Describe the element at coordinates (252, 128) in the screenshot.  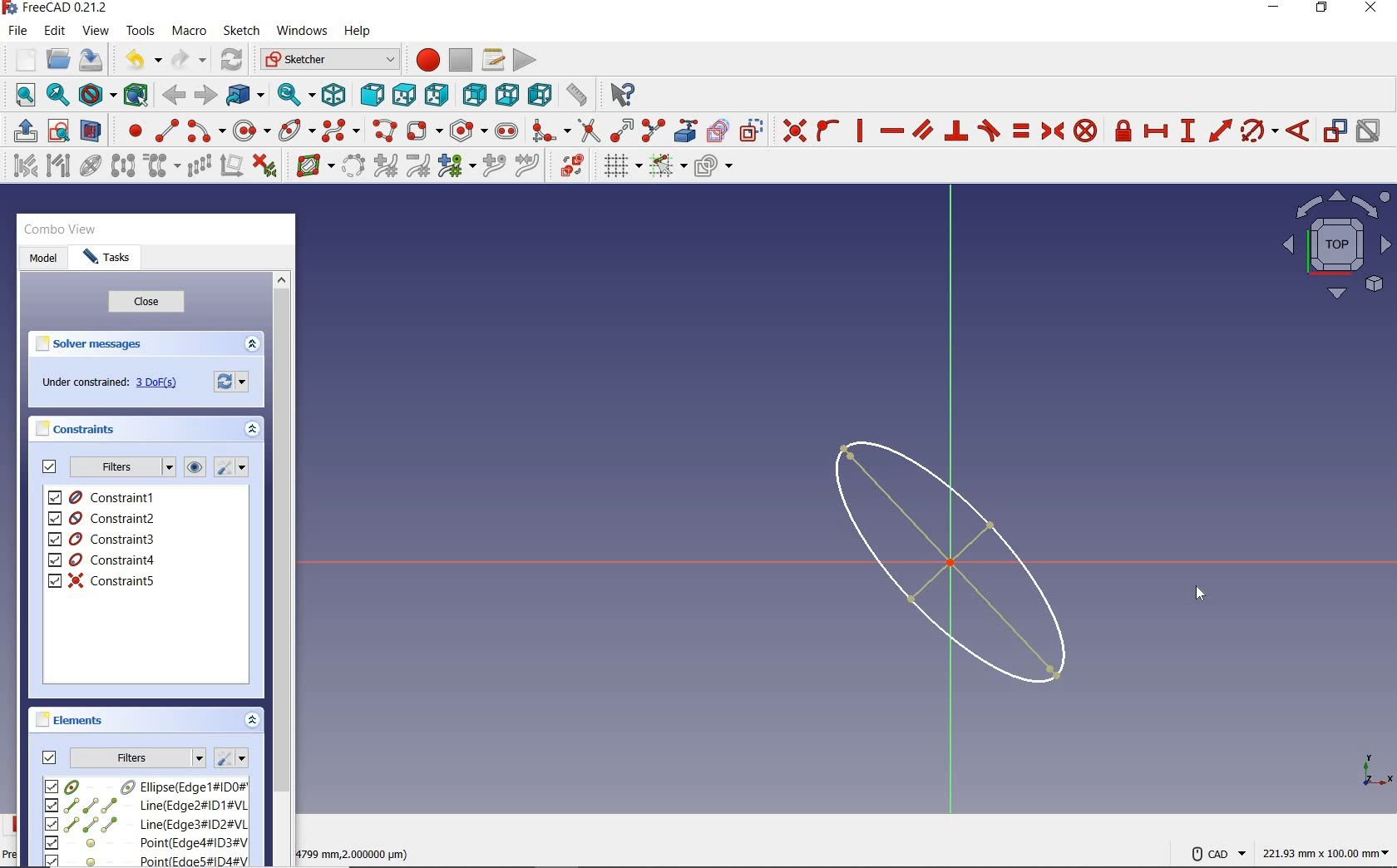
I see `create circle` at that location.